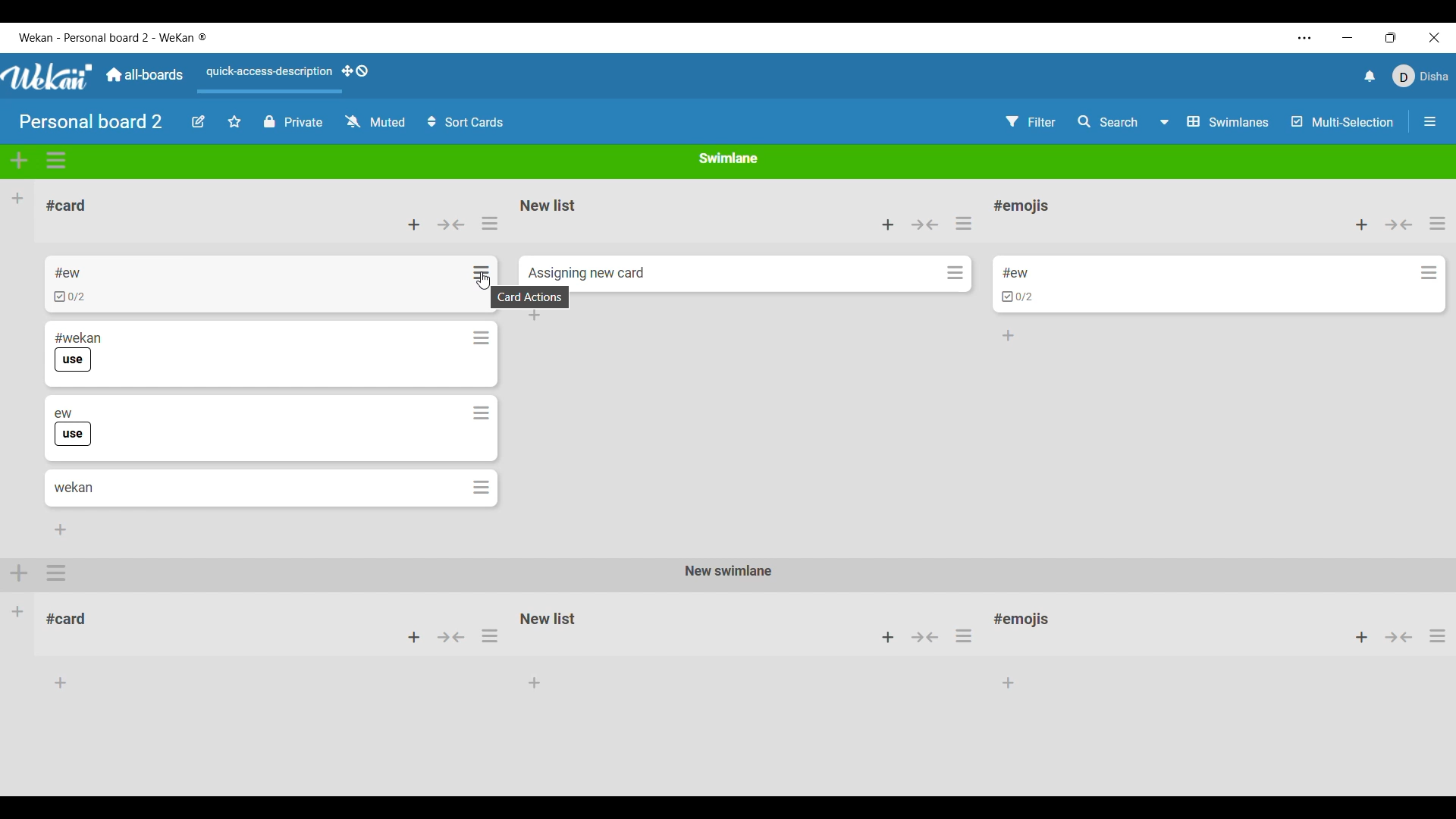 This screenshot has width=1456, height=819. What do you see at coordinates (453, 641) in the screenshot?
I see `button` at bounding box center [453, 641].